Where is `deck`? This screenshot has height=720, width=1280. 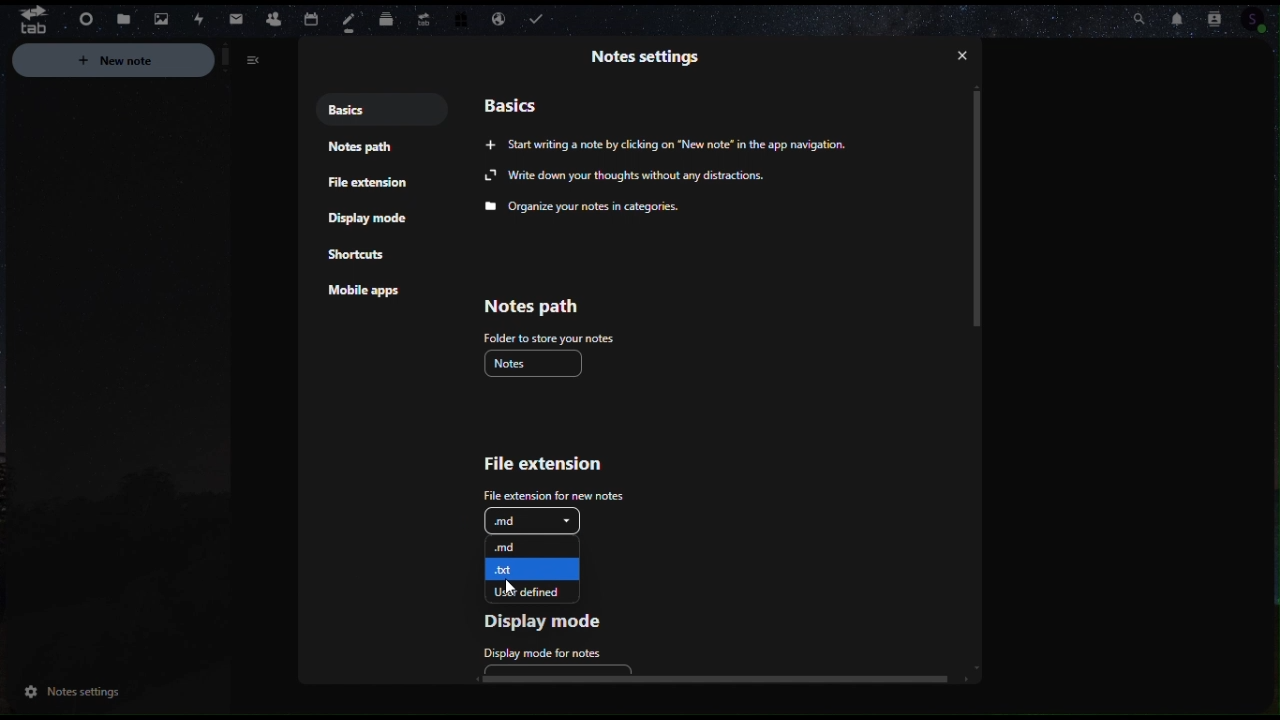 deck is located at coordinates (387, 16).